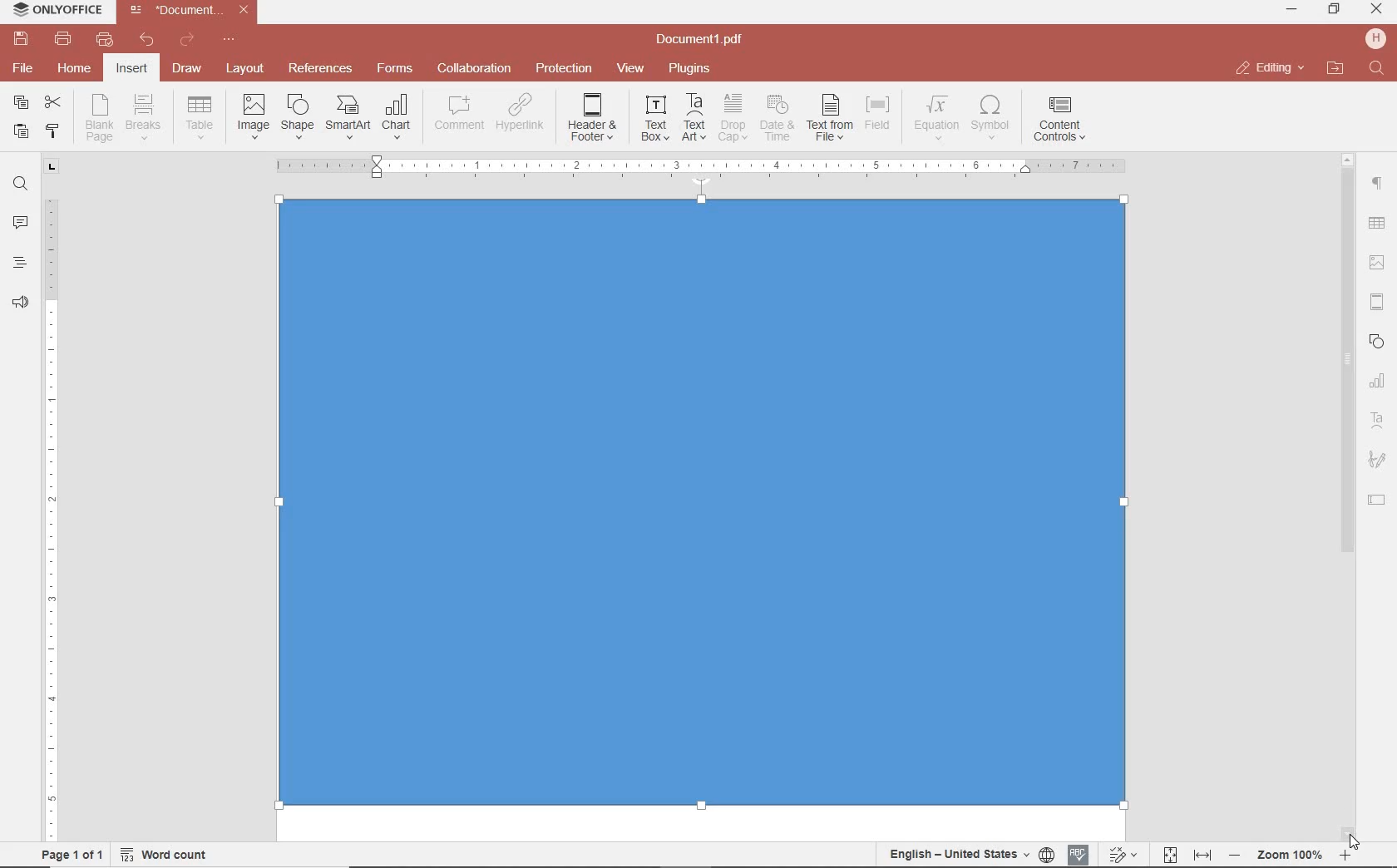 This screenshot has height=868, width=1397. I want to click on comments, so click(20, 224).